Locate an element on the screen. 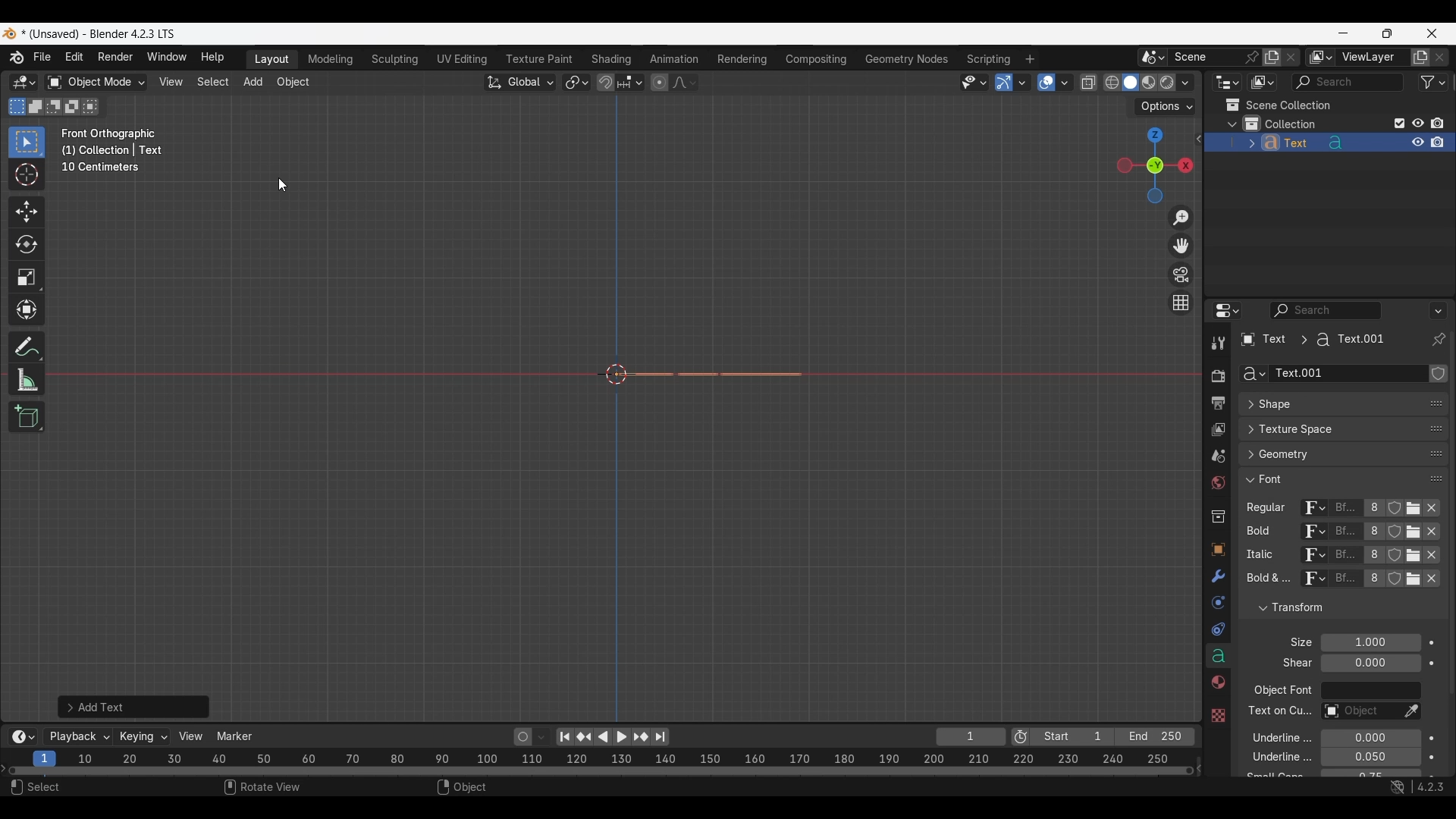 This screenshot has width=1456, height=819. Viewport shading, solid is located at coordinates (1130, 83).